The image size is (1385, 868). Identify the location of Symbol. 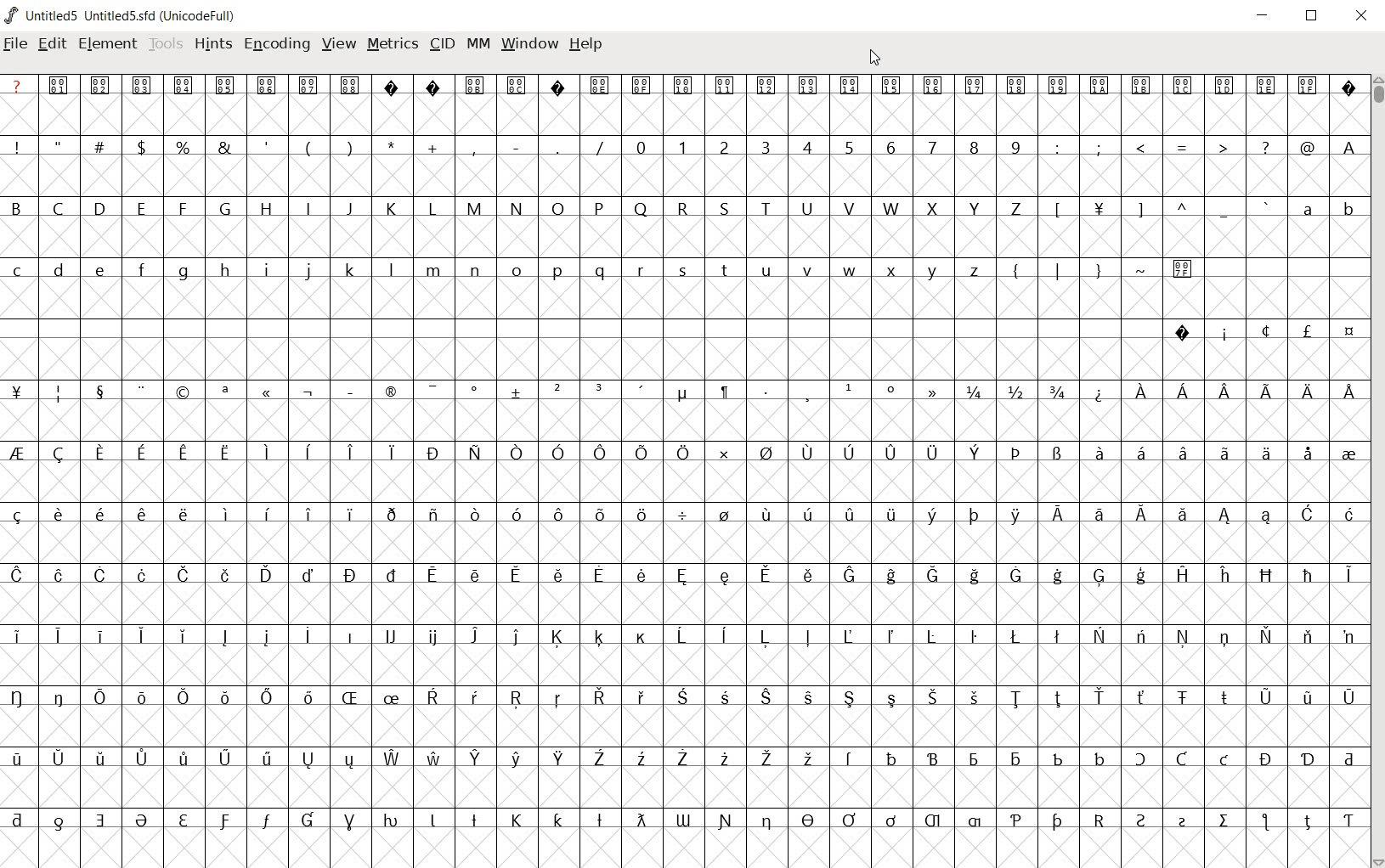
(1015, 516).